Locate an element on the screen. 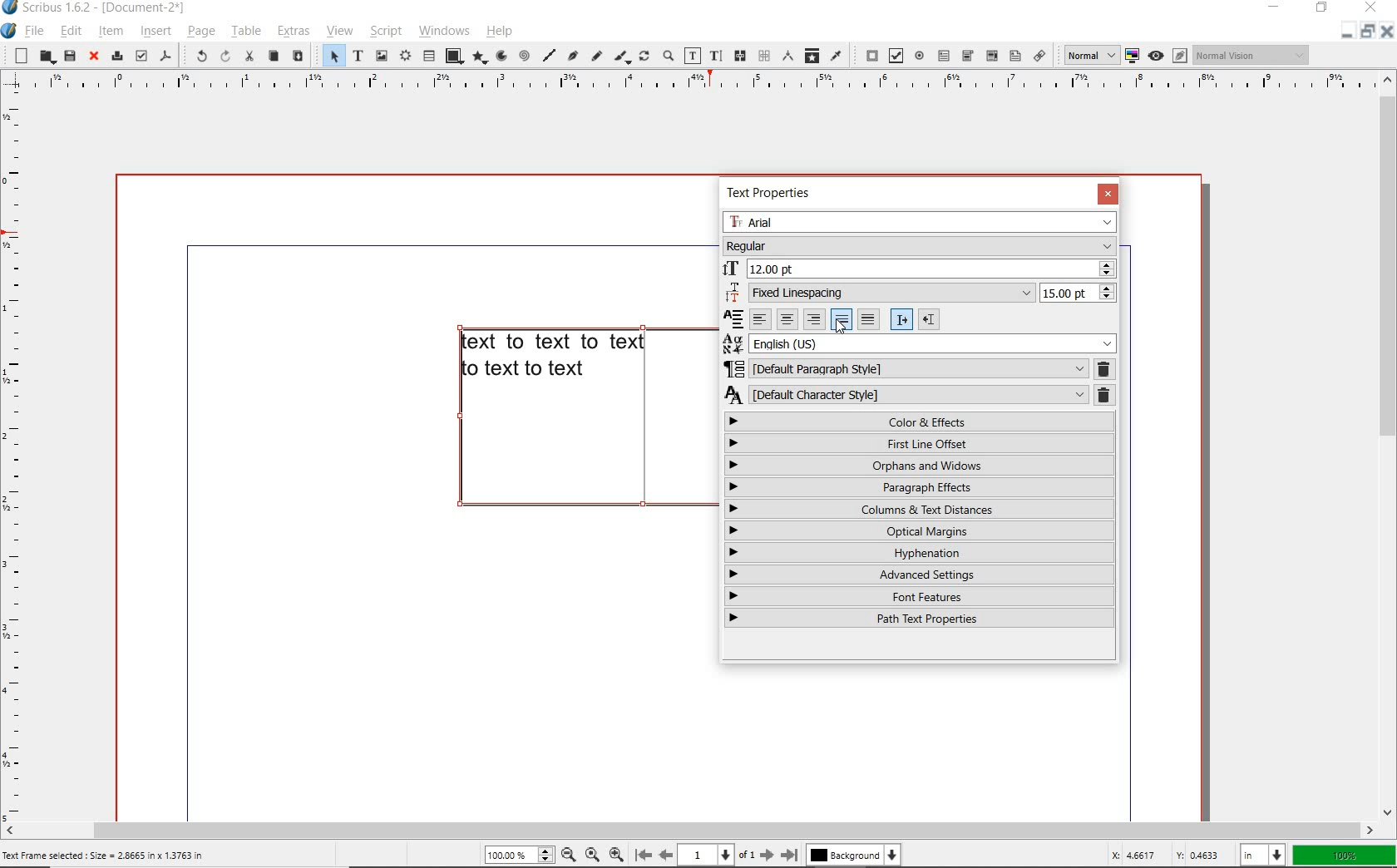 Image resolution: width=1397 pixels, height=868 pixels. right indent is located at coordinates (901, 319).